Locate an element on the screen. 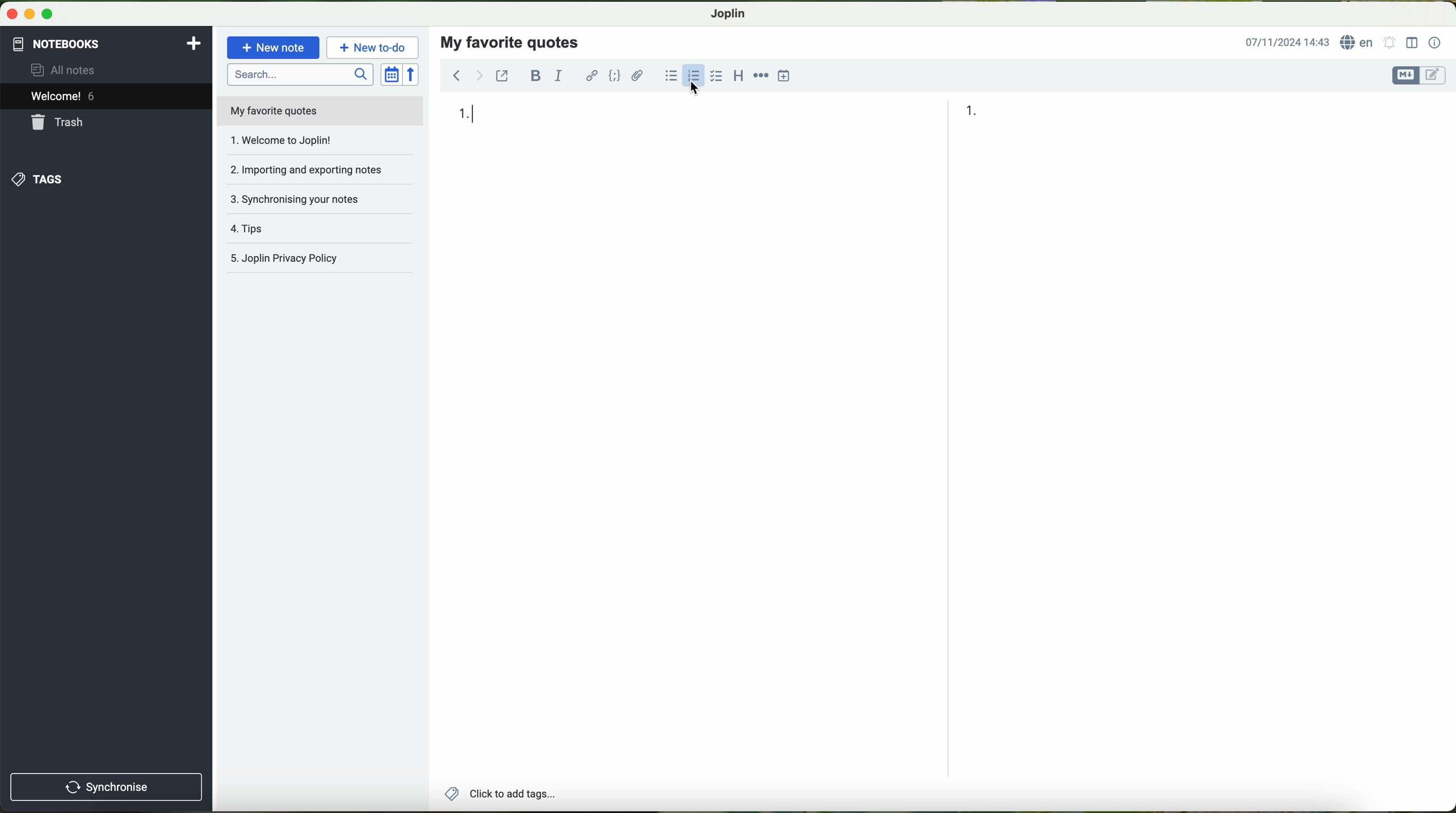 This screenshot has width=1456, height=813. cursor is located at coordinates (695, 94).